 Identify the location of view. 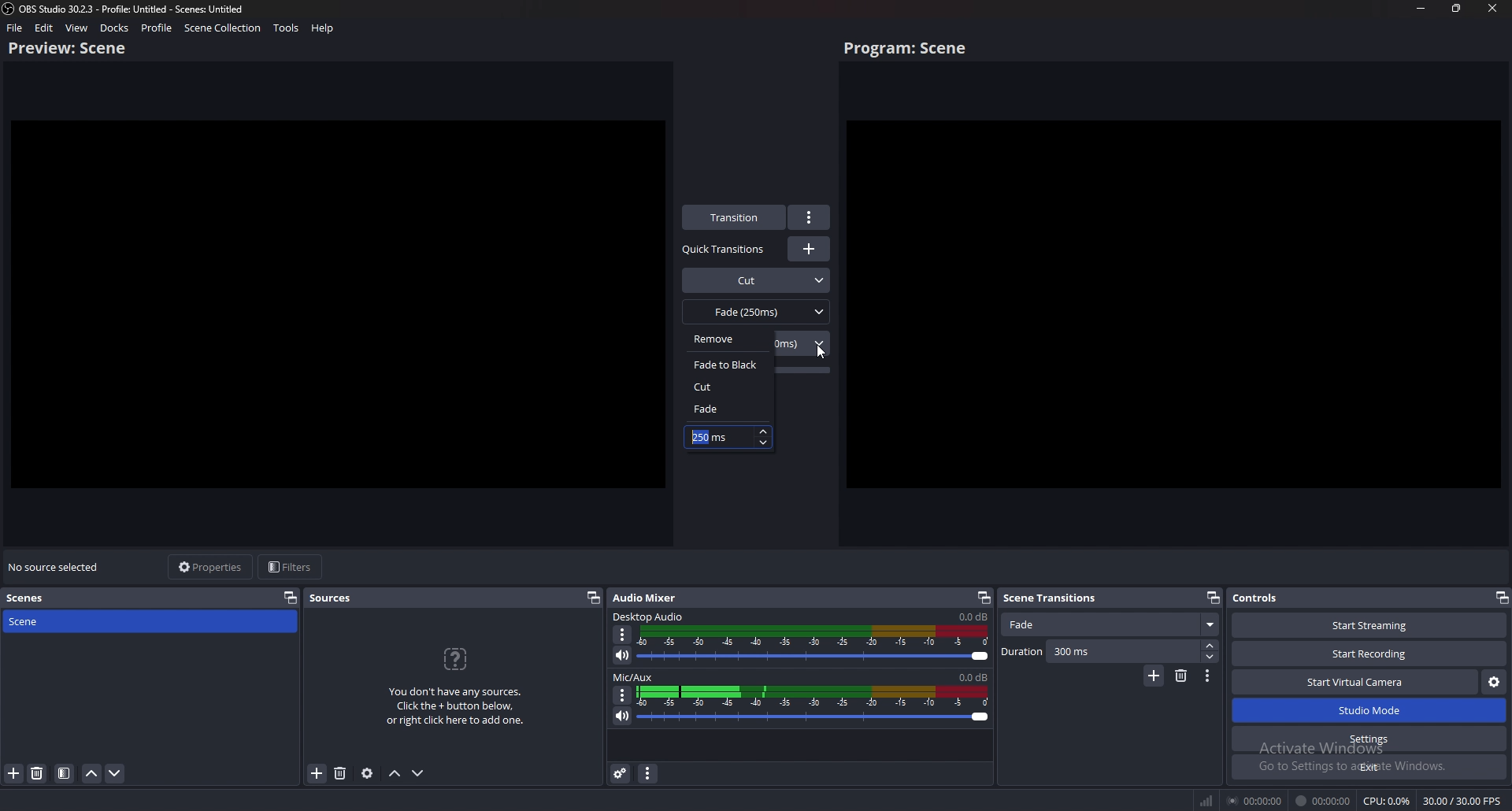
(77, 28).